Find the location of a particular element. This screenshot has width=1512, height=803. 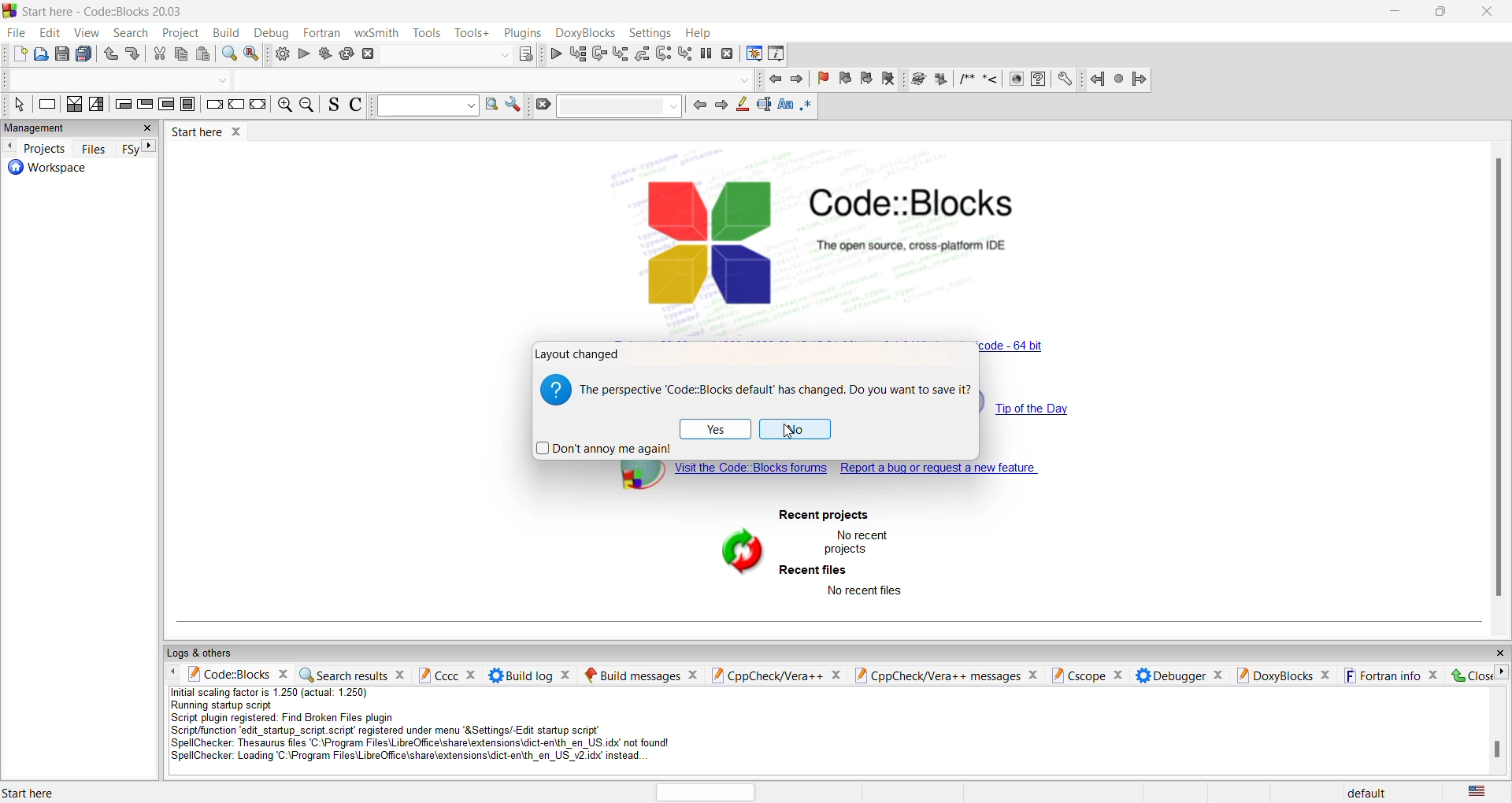

prev is located at coordinates (699, 106).